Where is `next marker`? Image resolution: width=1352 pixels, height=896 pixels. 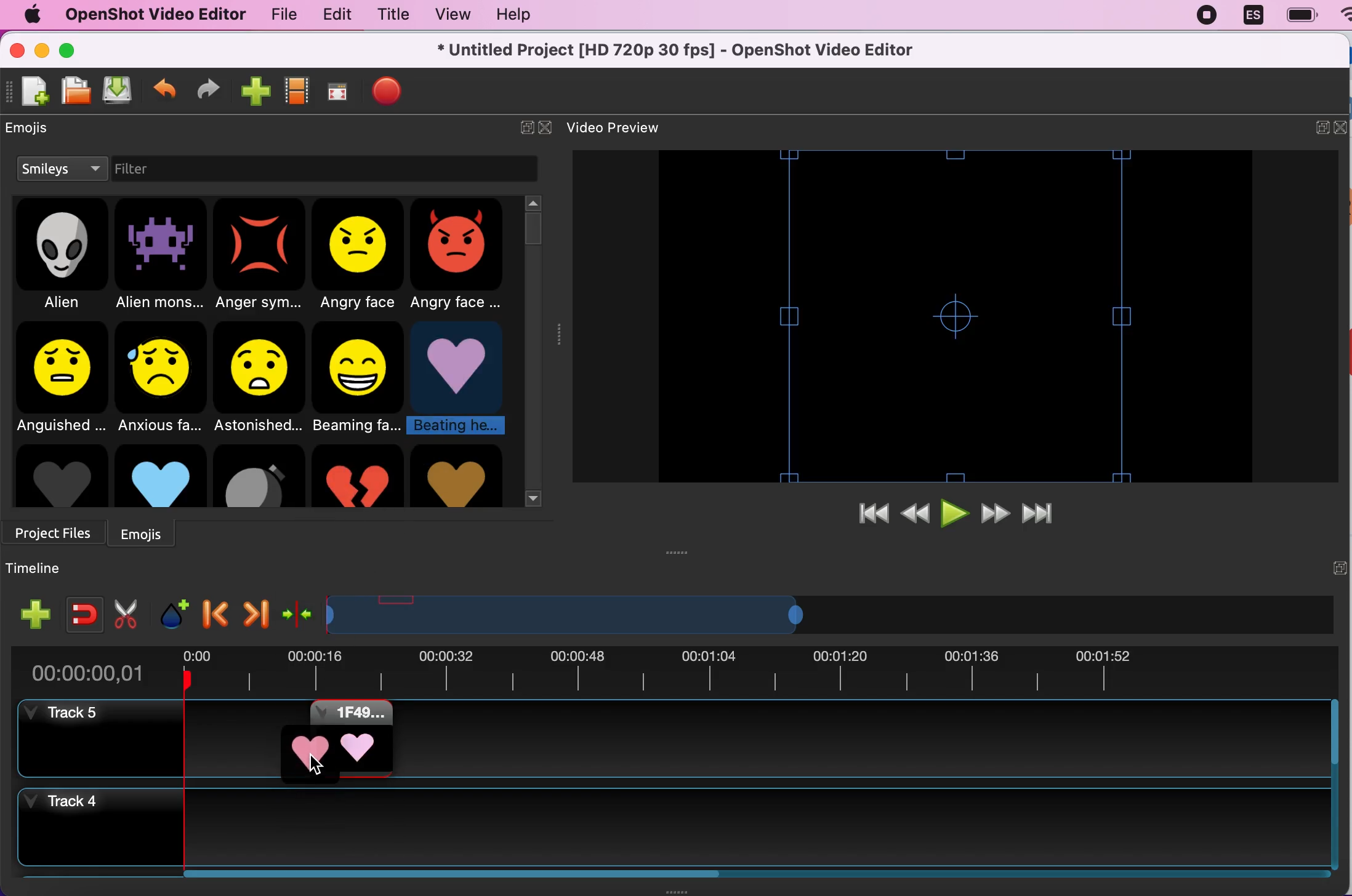
next marker is located at coordinates (254, 611).